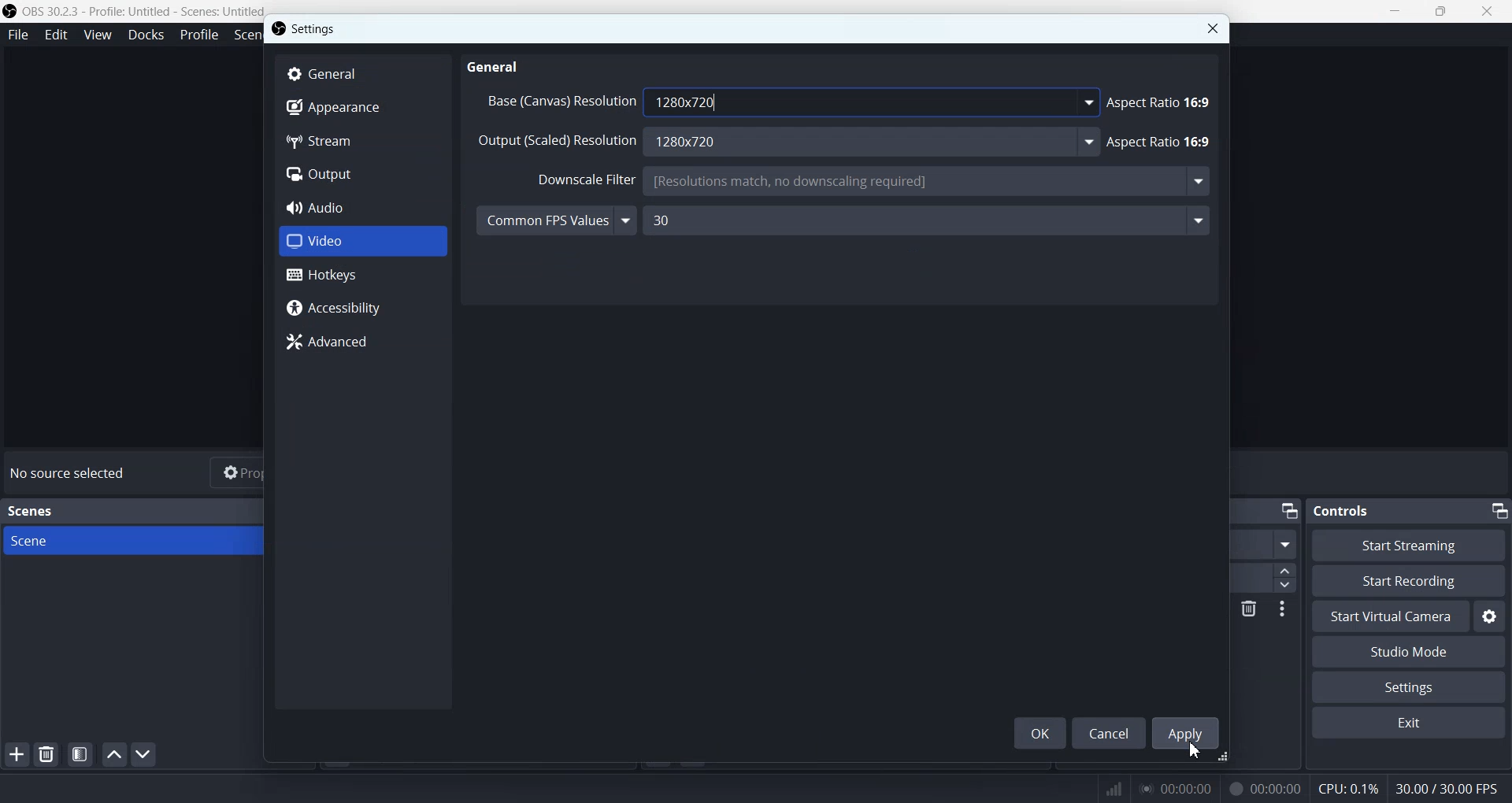 The image size is (1512, 803). I want to click on Window adjuster, so click(1226, 757).